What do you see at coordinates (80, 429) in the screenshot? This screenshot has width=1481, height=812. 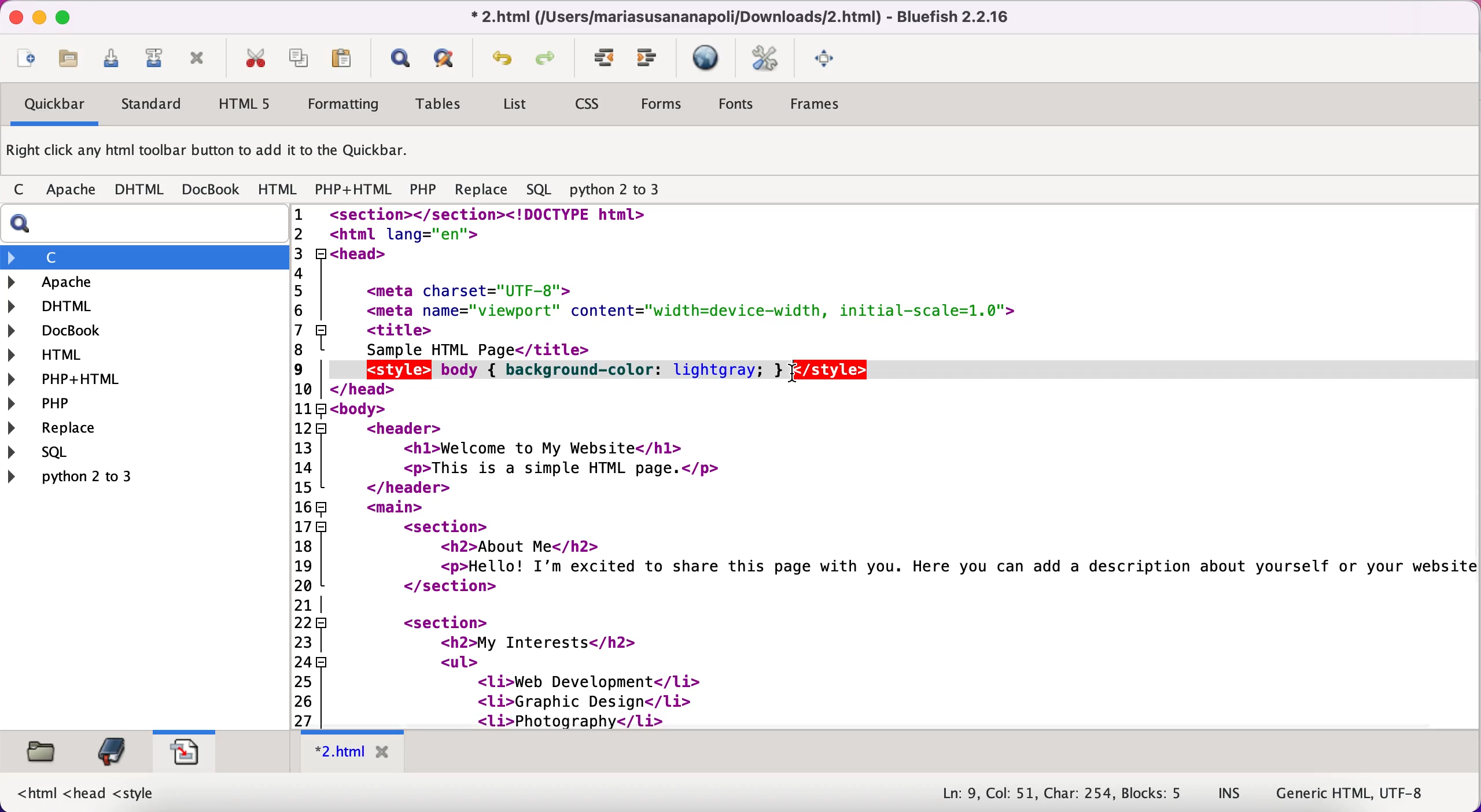 I see `replace` at bounding box center [80, 429].